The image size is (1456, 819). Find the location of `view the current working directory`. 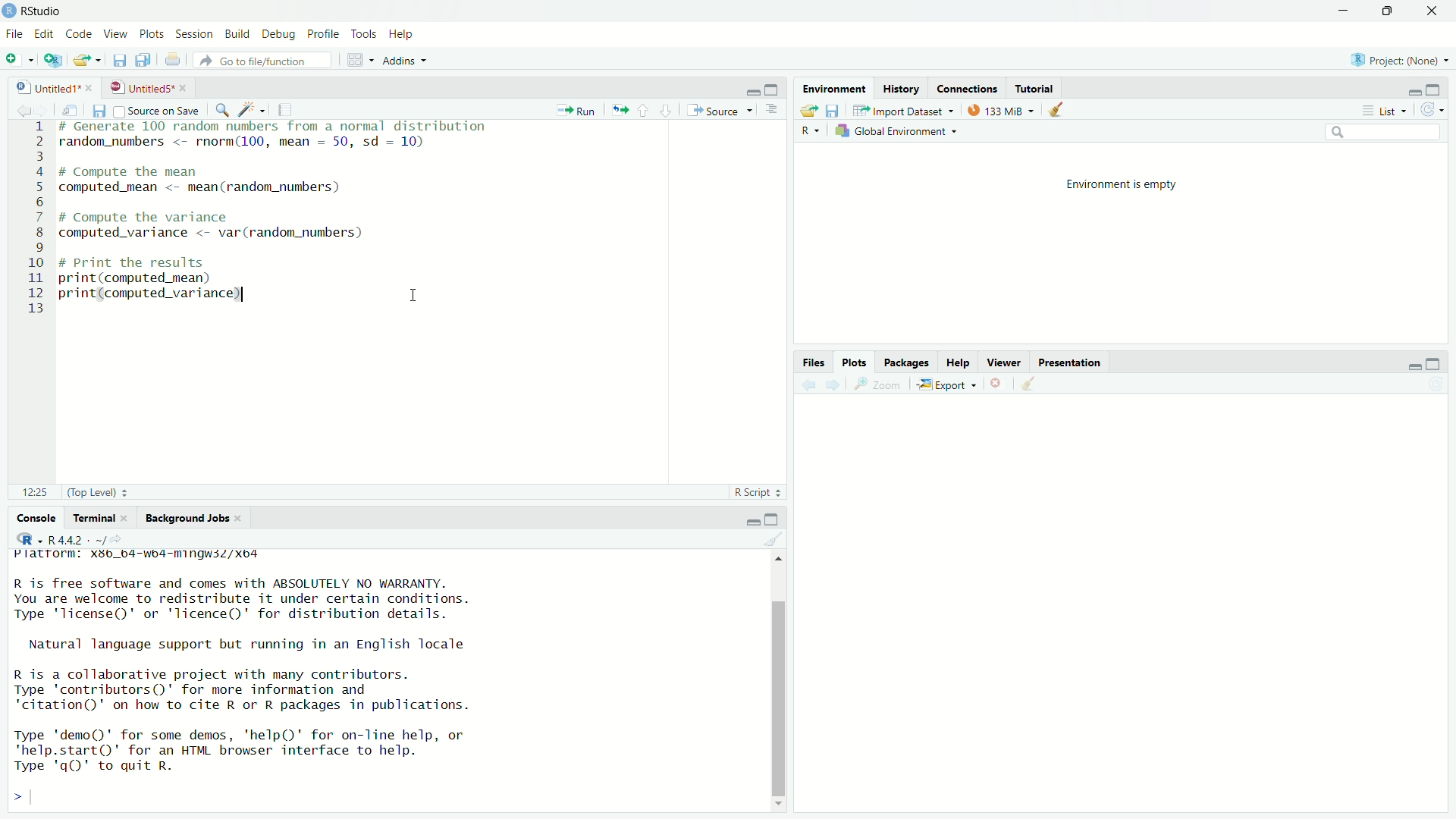

view the current working directory is located at coordinates (125, 539).